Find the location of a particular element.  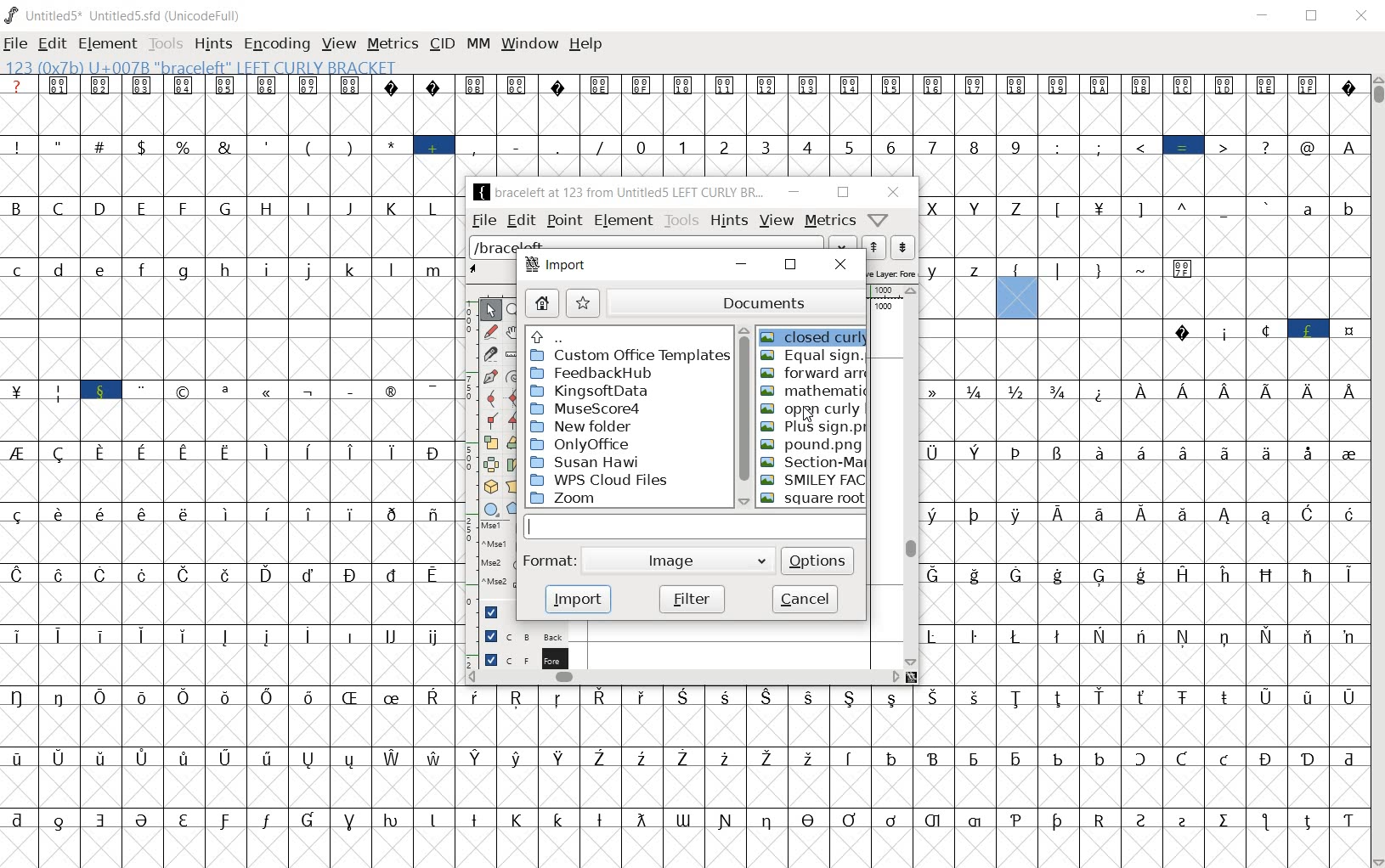

cid is located at coordinates (441, 43).